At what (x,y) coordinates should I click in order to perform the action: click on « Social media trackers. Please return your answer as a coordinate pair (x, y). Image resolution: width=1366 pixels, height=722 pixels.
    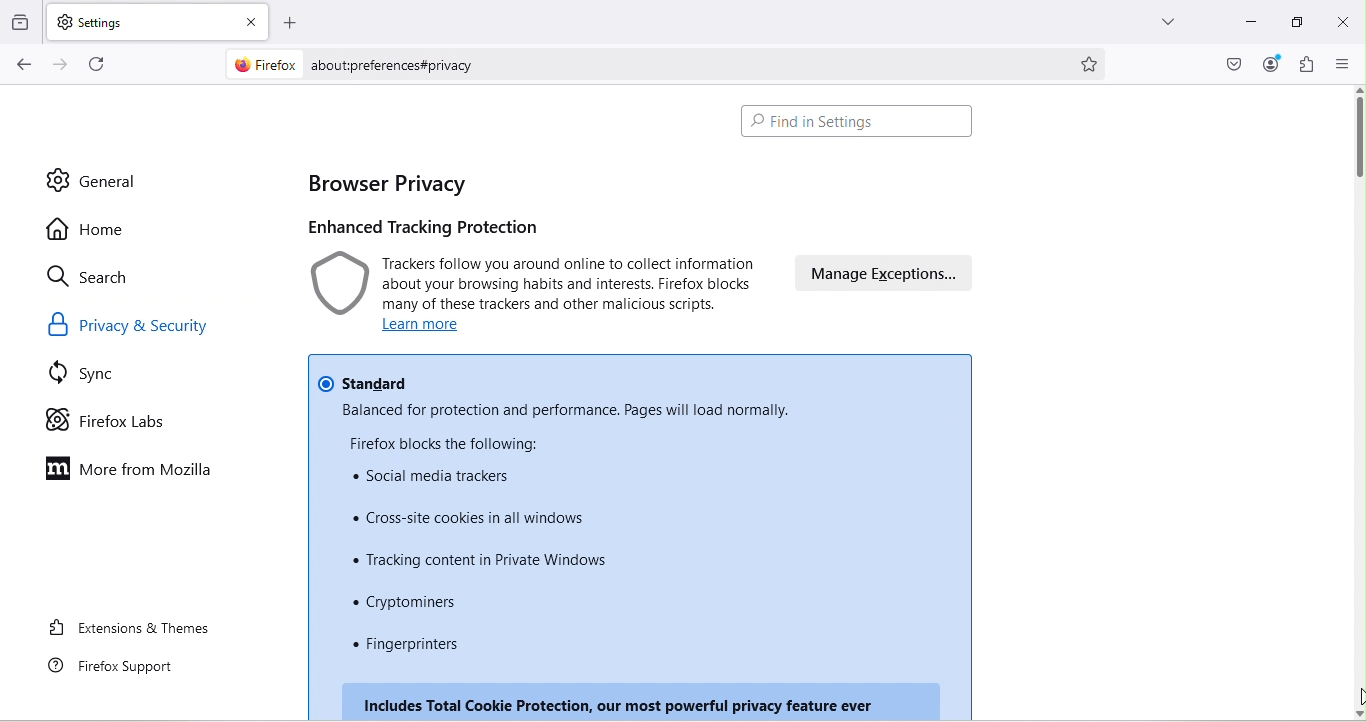
    Looking at the image, I should click on (438, 474).